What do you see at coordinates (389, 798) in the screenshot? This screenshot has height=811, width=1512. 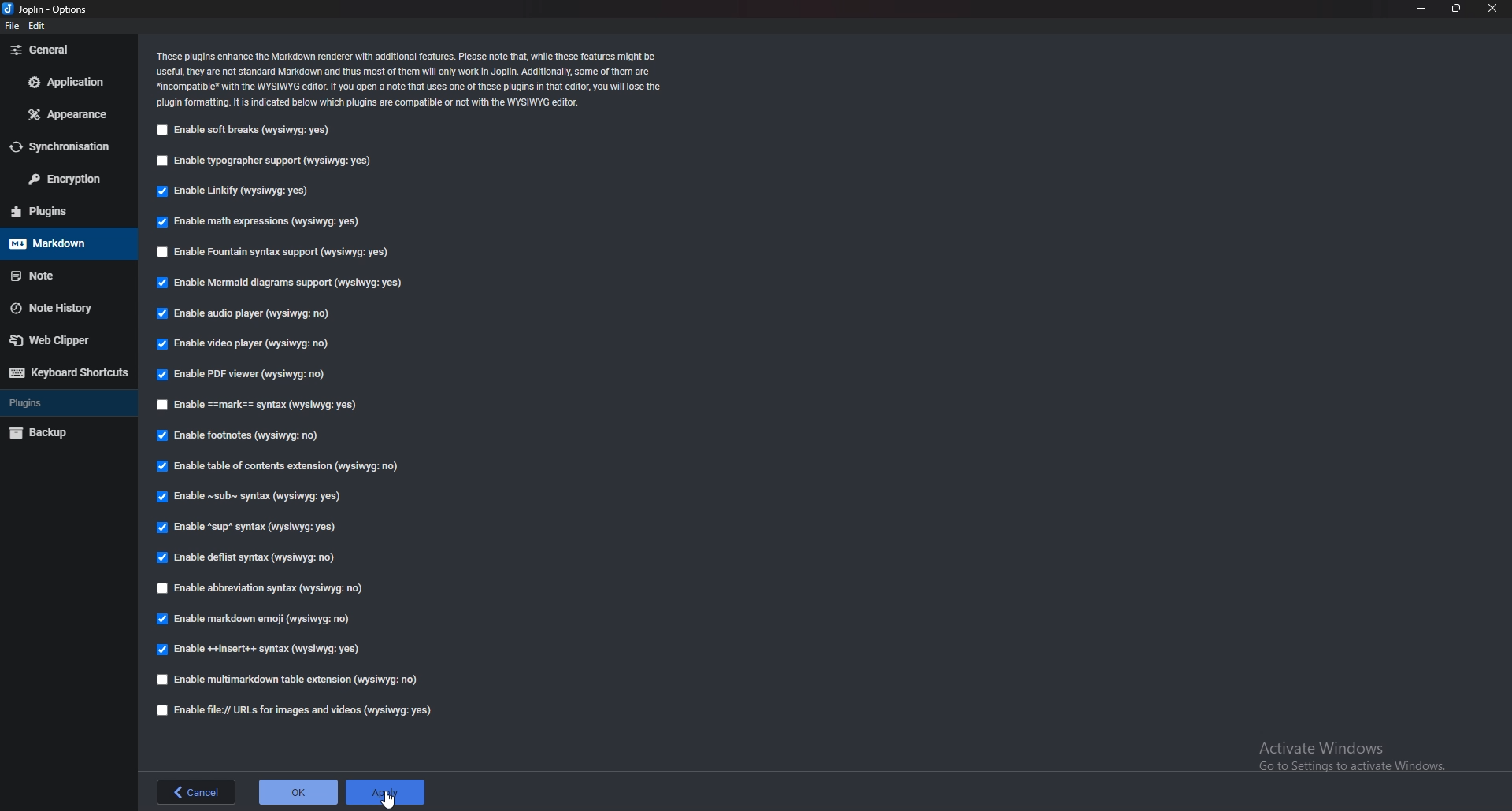 I see `cursor` at bounding box center [389, 798].